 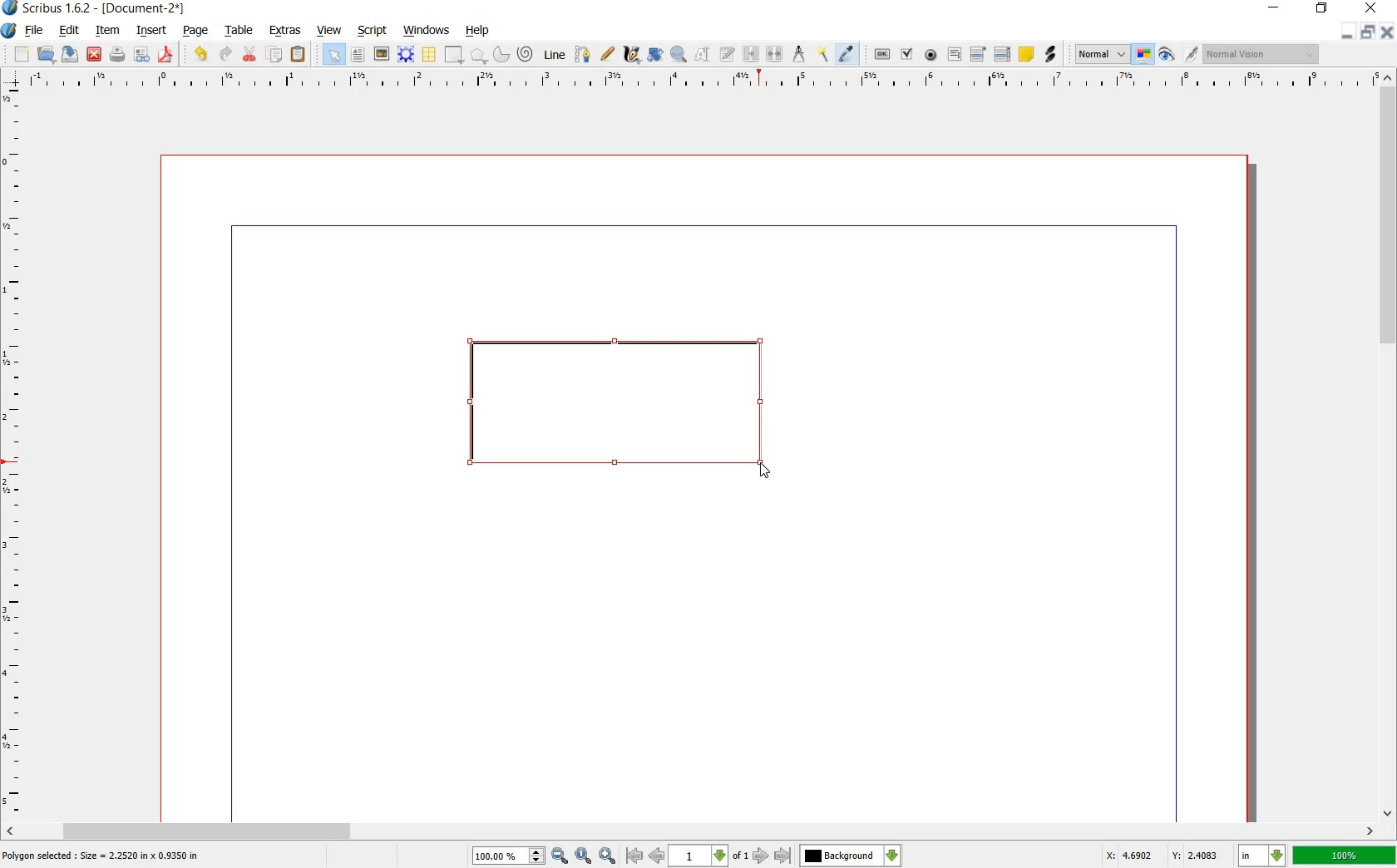 I want to click on BEZIER CURVE, so click(x=585, y=55).